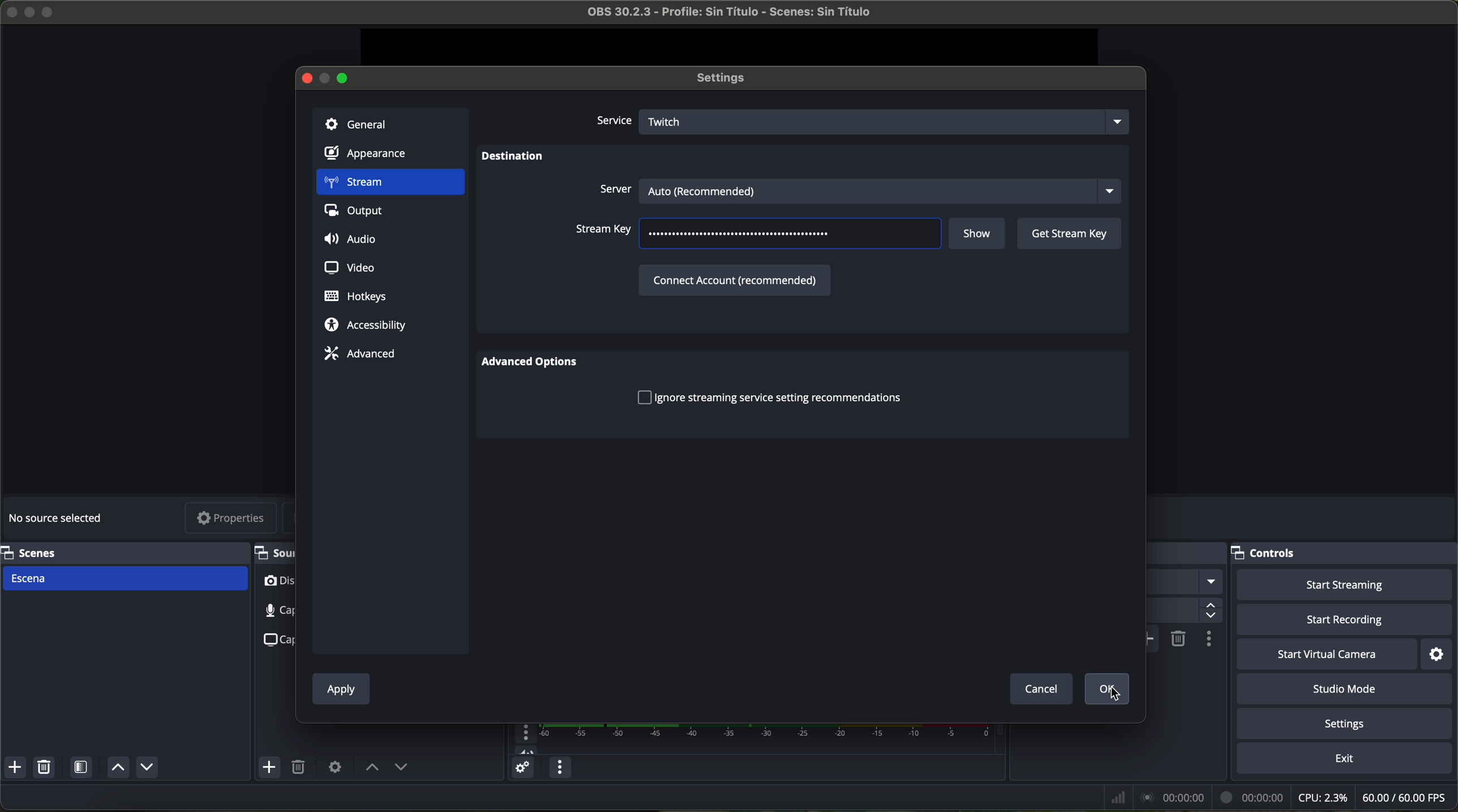 Image resolution: width=1458 pixels, height=812 pixels. What do you see at coordinates (344, 77) in the screenshot?
I see `maximize window` at bounding box center [344, 77].